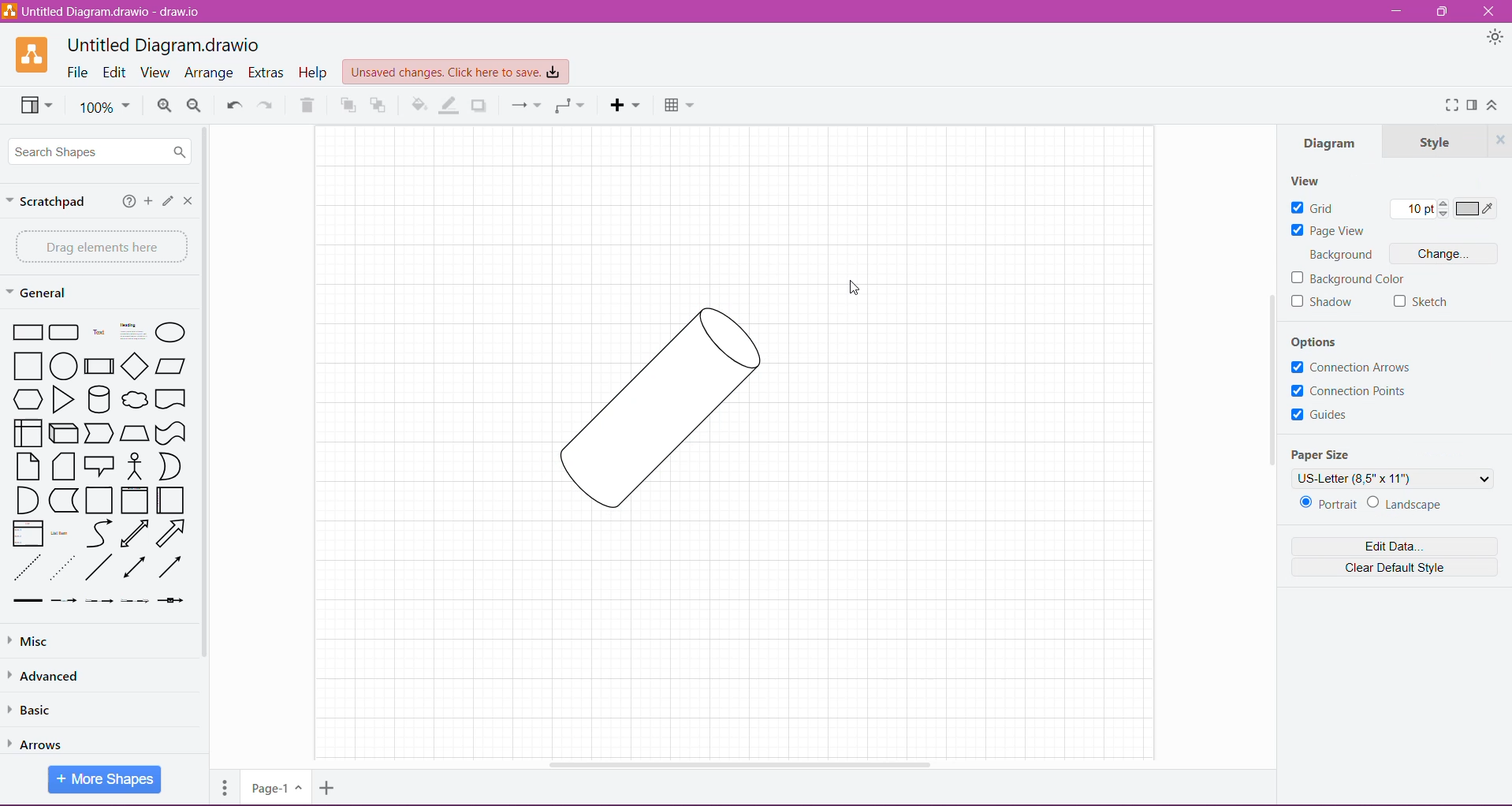 This screenshot has height=806, width=1512. I want to click on Waypoints, so click(568, 107).